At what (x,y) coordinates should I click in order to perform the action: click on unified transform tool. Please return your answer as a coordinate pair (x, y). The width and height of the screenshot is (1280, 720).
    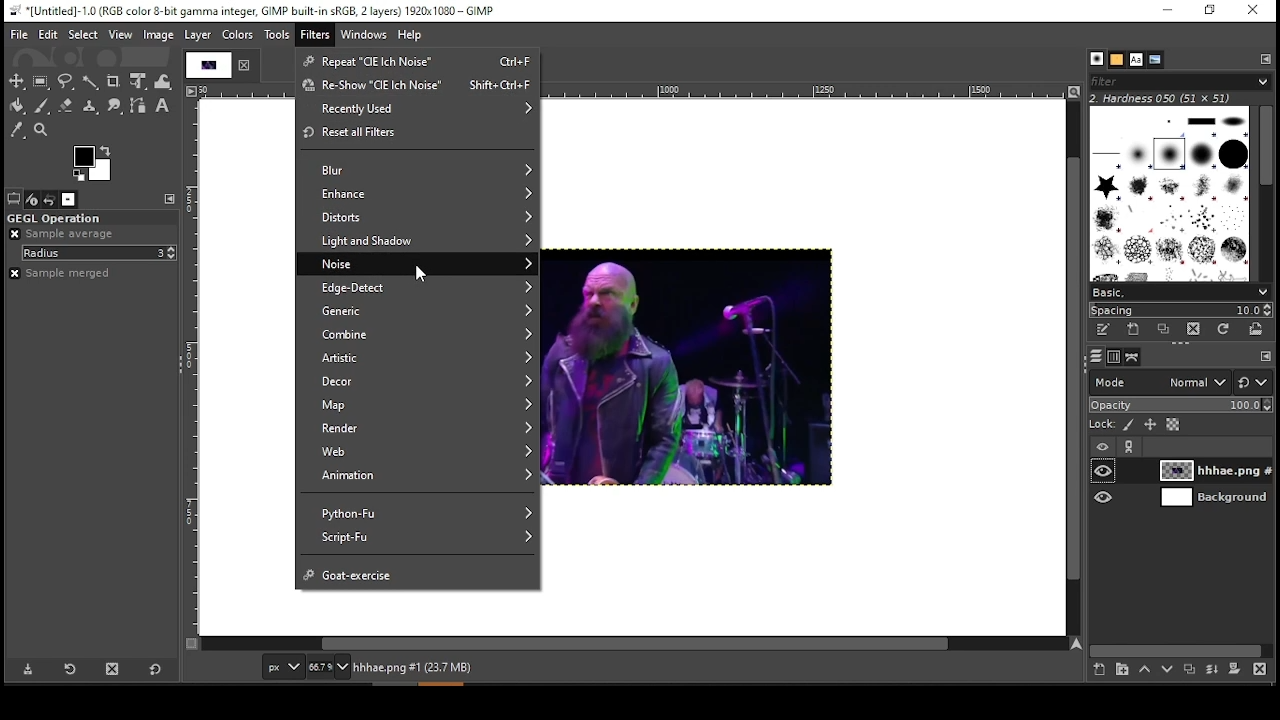
    Looking at the image, I should click on (138, 81).